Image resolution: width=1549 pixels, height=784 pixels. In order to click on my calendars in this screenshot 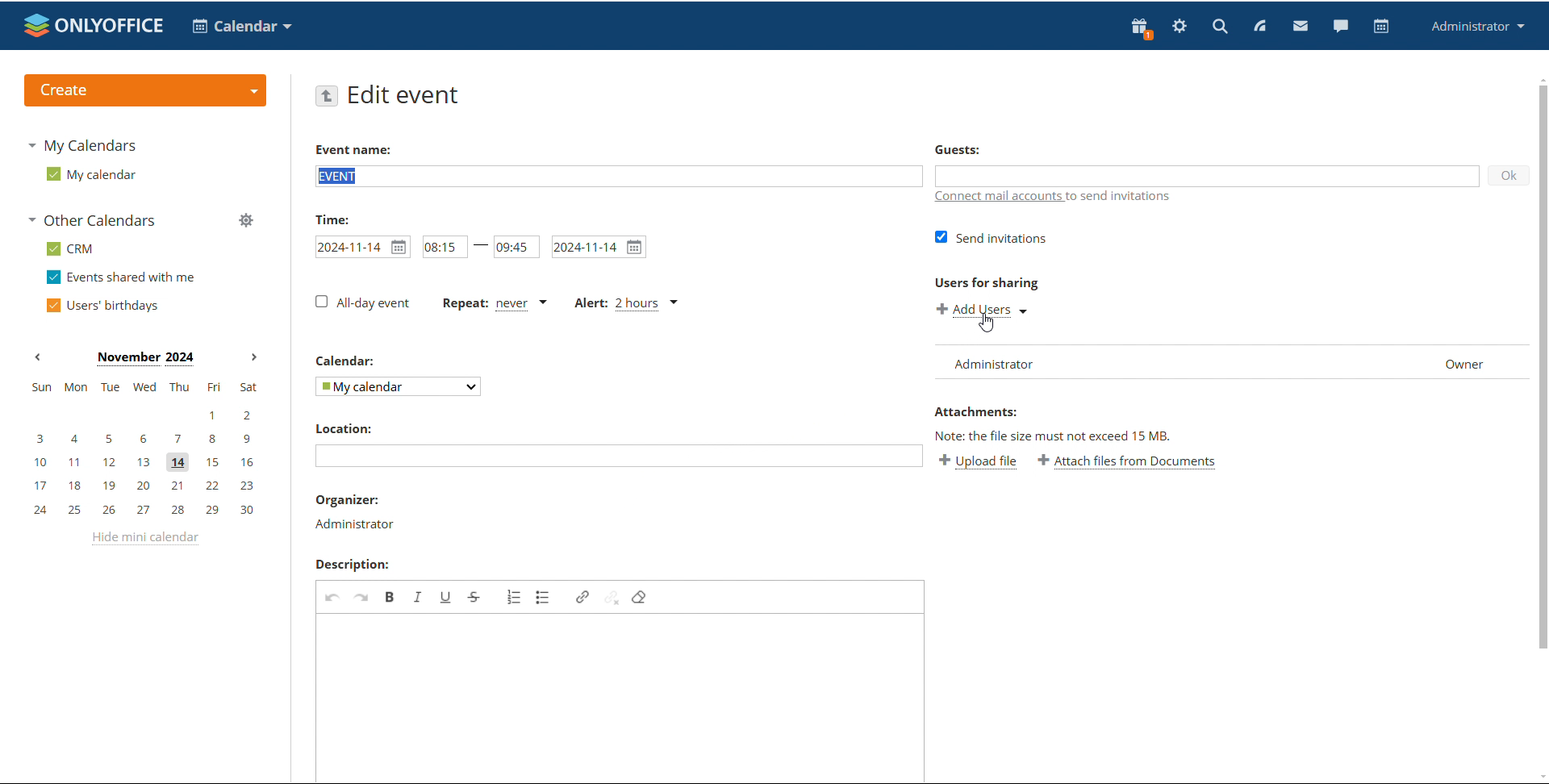, I will do `click(81, 147)`.